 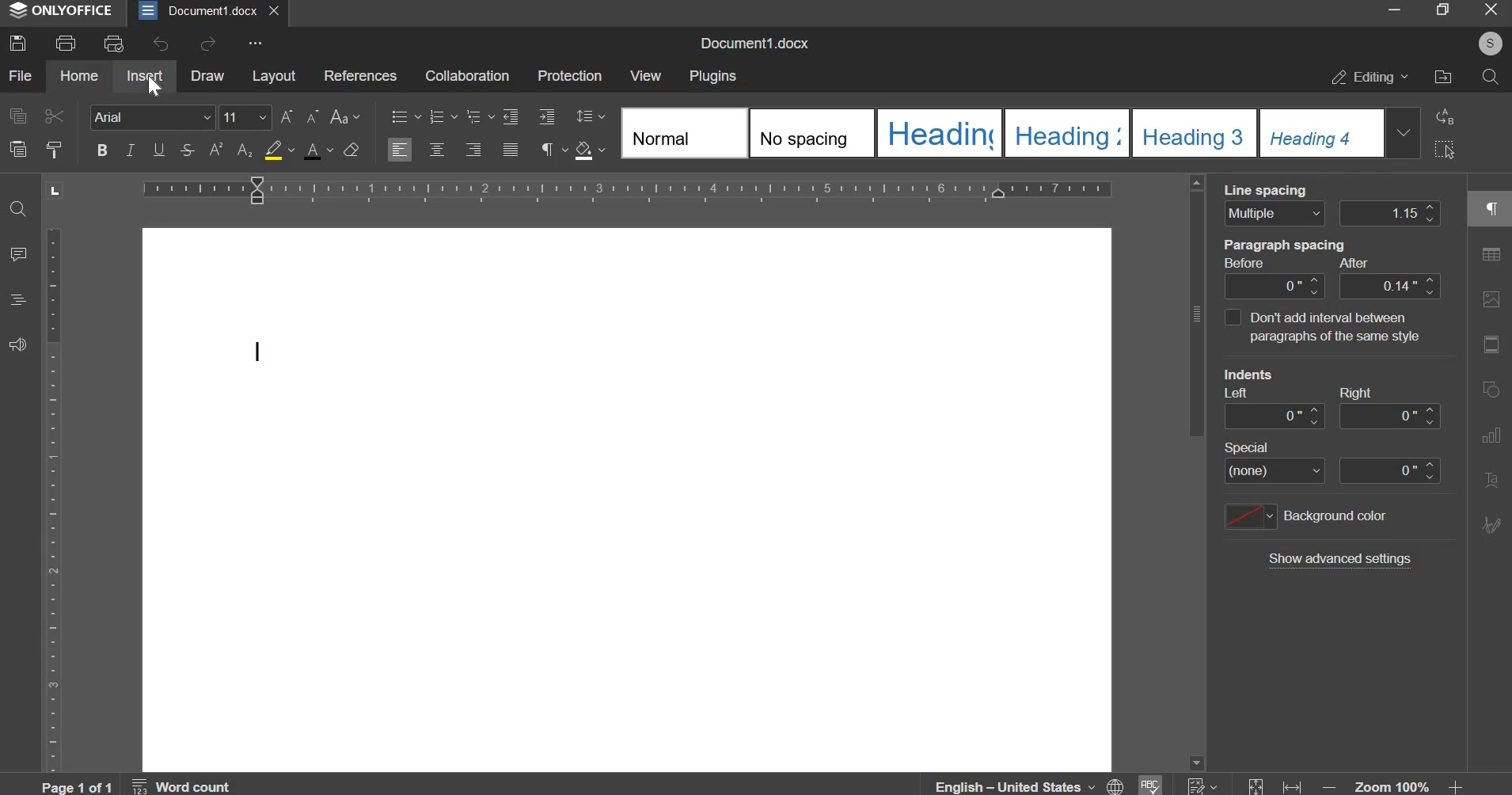 What do you see at coordinates (186, 151) in the screenshot?
I see `strikethrough` at bounding box center [186, 151].